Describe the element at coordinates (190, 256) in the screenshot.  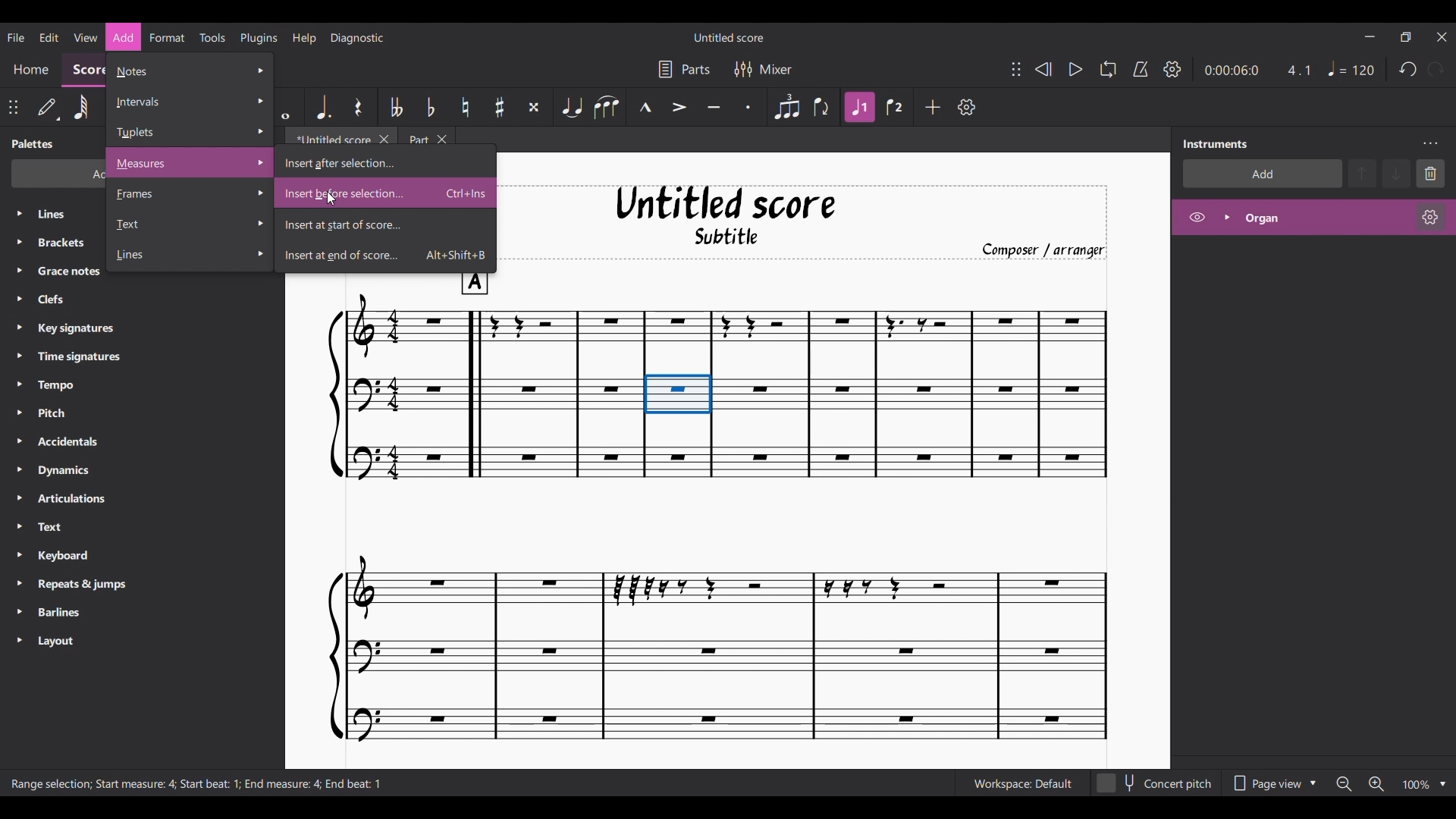
I see `Line options` at that location.